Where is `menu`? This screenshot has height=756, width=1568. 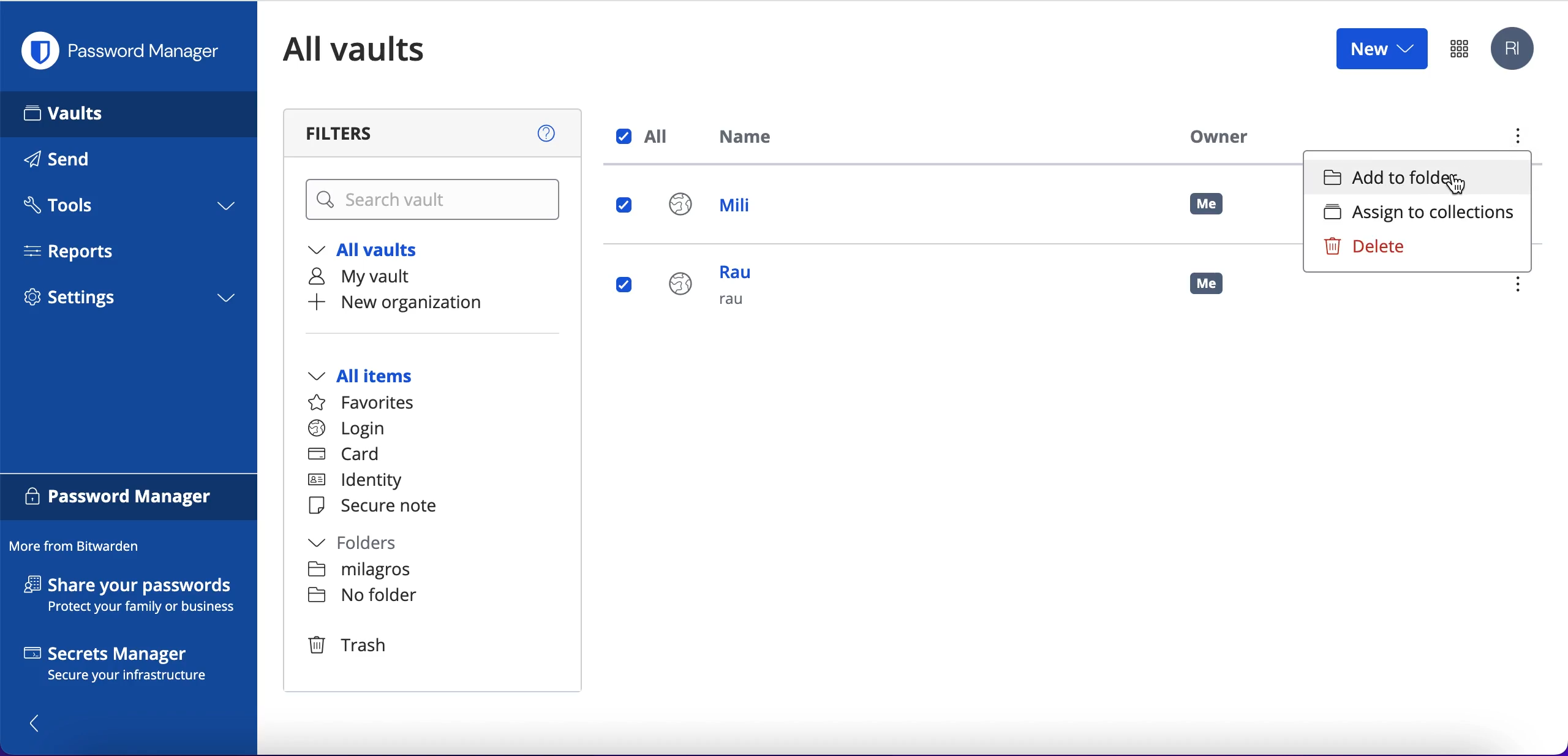
menu is located at coordinates (1516, 139).